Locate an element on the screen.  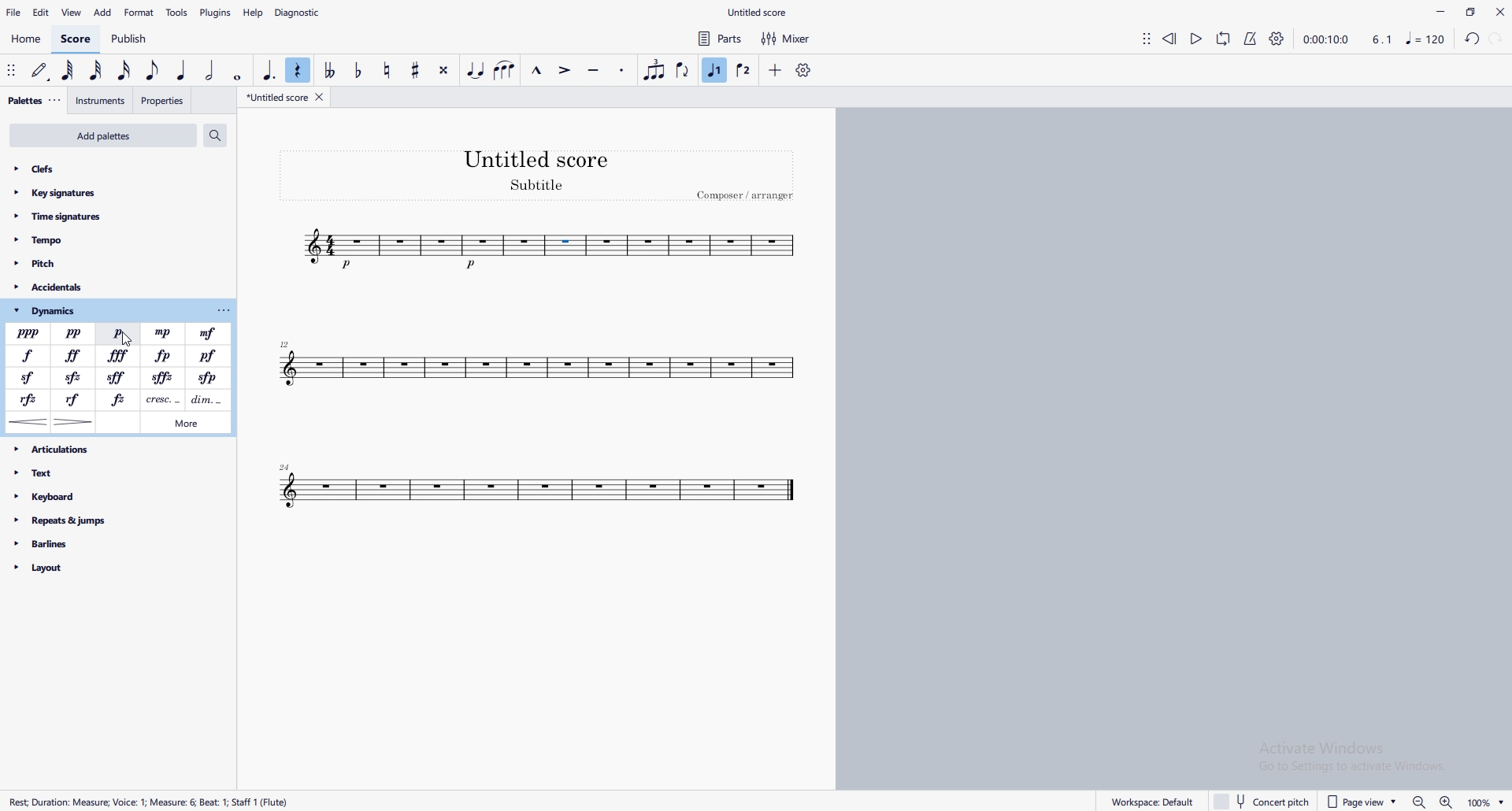
minimize is located at coordinates (1441, 11).